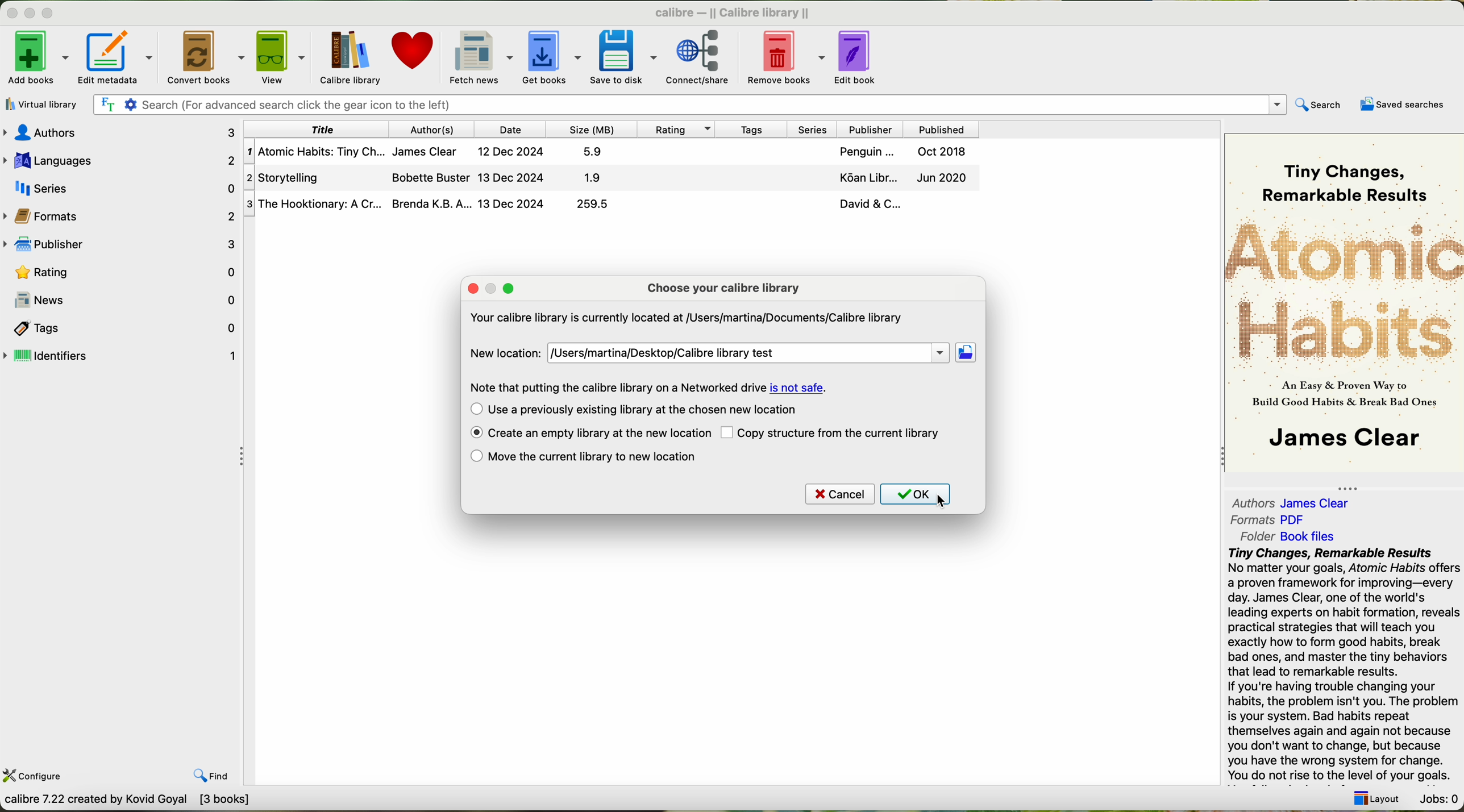  Describe the element at coordinates (839, 494) in the screenshot. I see `cancel button` at that location.